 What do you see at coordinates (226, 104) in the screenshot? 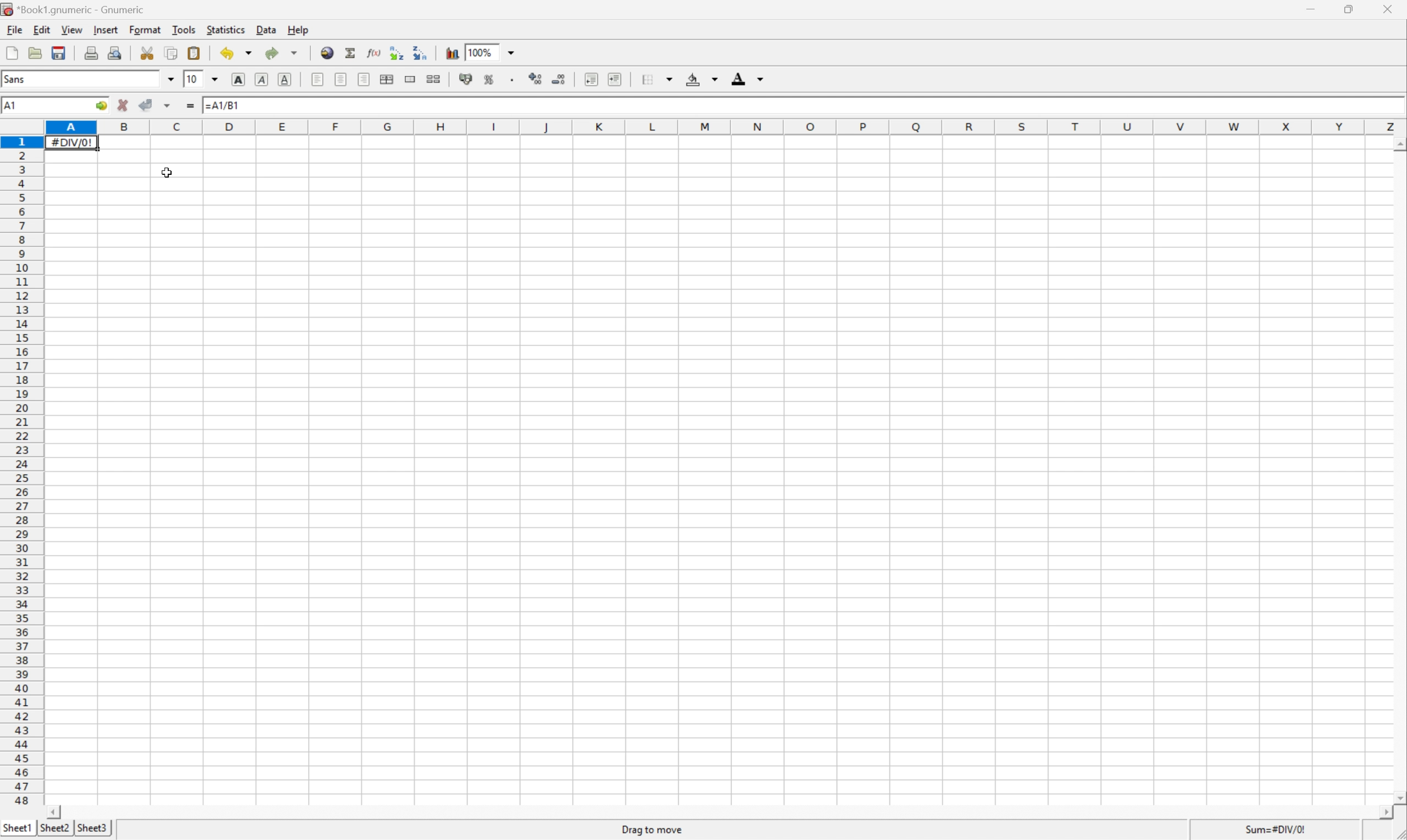
I see `=A1/B1` at bounding box center [226, 104].